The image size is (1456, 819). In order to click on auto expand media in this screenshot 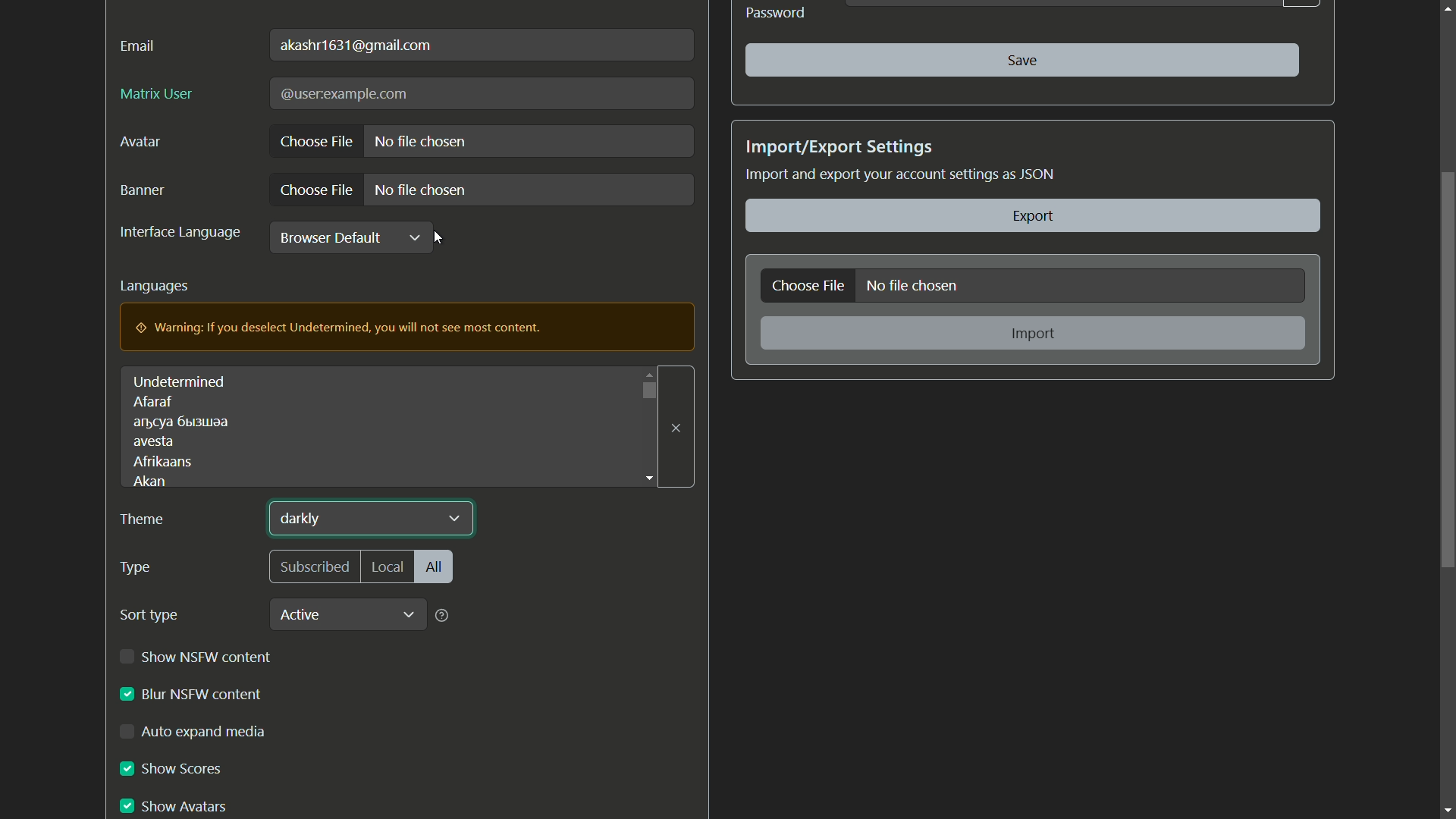, I will do `click(204, 732)`.